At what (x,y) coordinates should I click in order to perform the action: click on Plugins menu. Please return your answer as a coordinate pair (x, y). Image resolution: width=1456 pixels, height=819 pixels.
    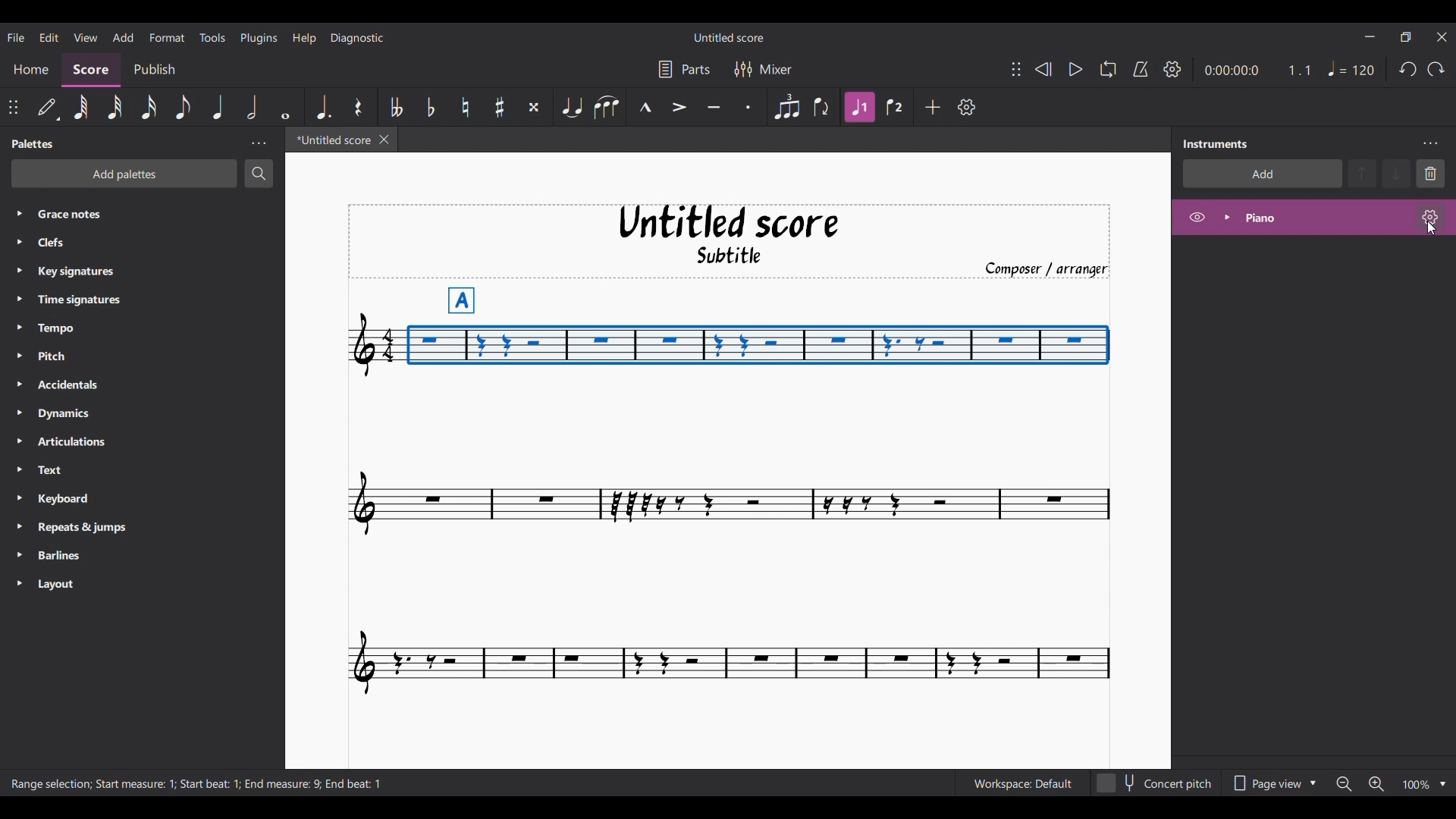
    Looking at the image, I should click on (260, 37).